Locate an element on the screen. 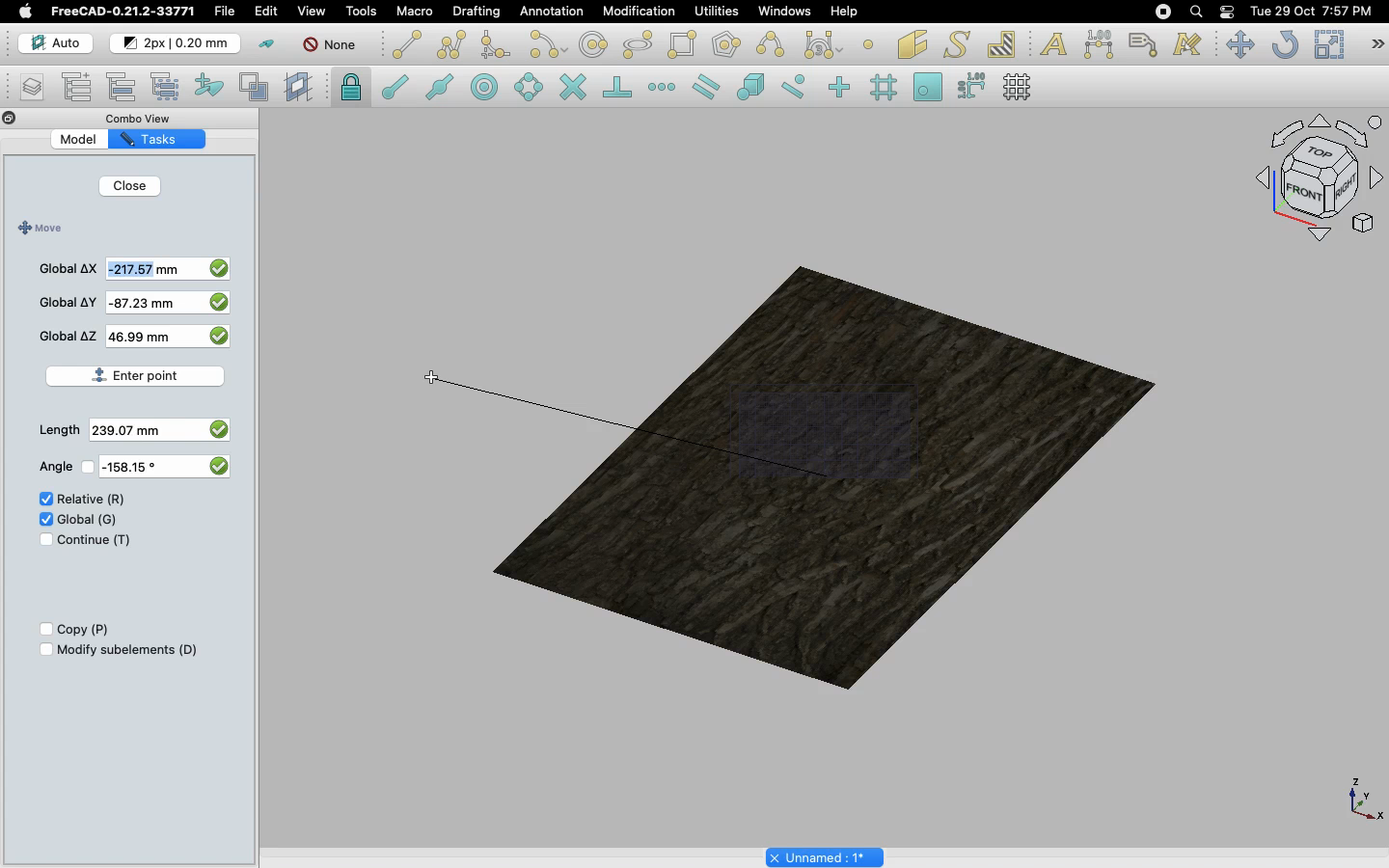 The height and width of the screenshot is (868, 1389). Text is located at coordinates (1053, 45).